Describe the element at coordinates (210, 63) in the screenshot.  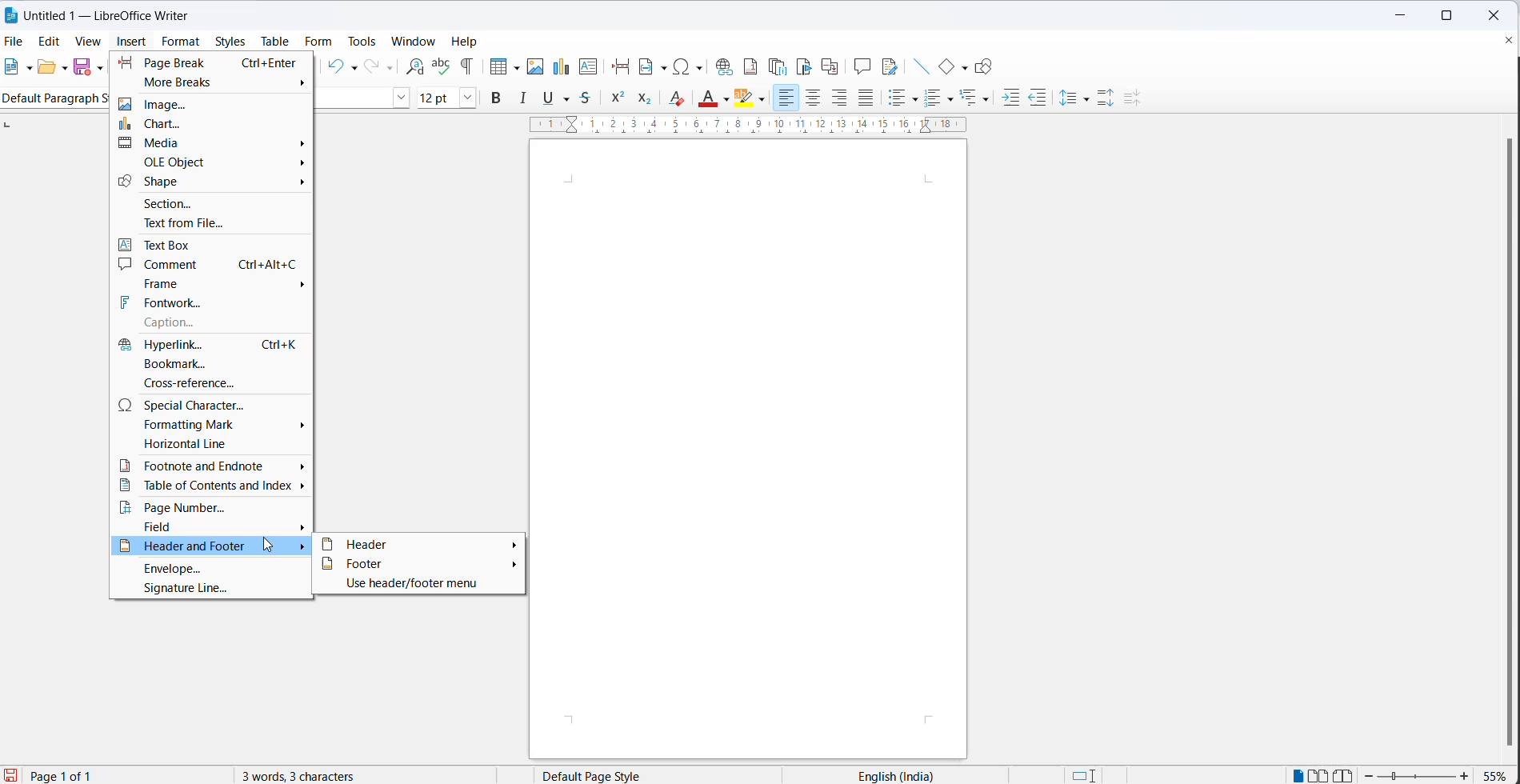
I see `page break` at that location.